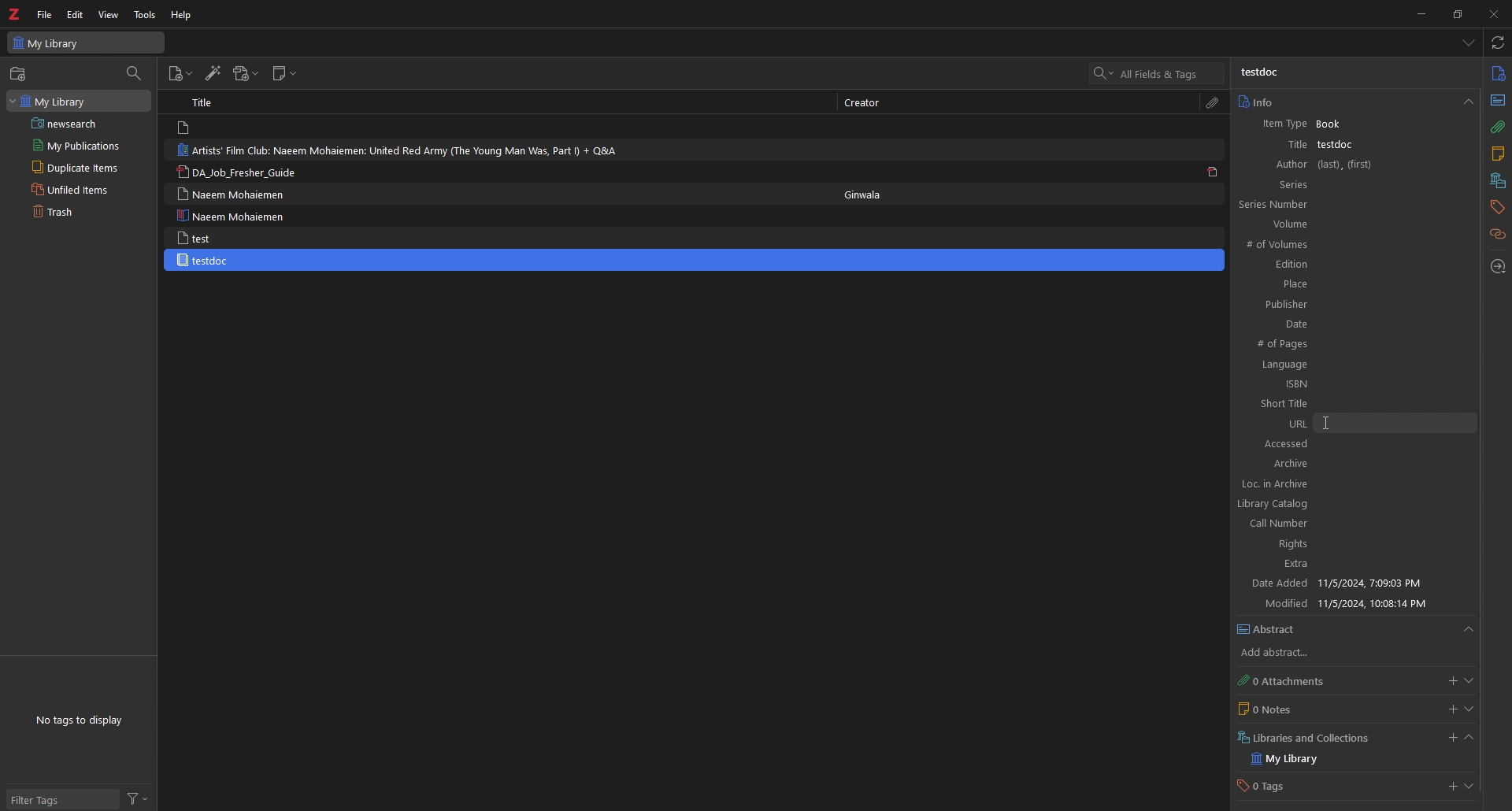 The width and height of the screenshot is (1512, 811). Describe the element at coordinates (1332, 344) in the screenshot. I see `# of Pages` at that location.